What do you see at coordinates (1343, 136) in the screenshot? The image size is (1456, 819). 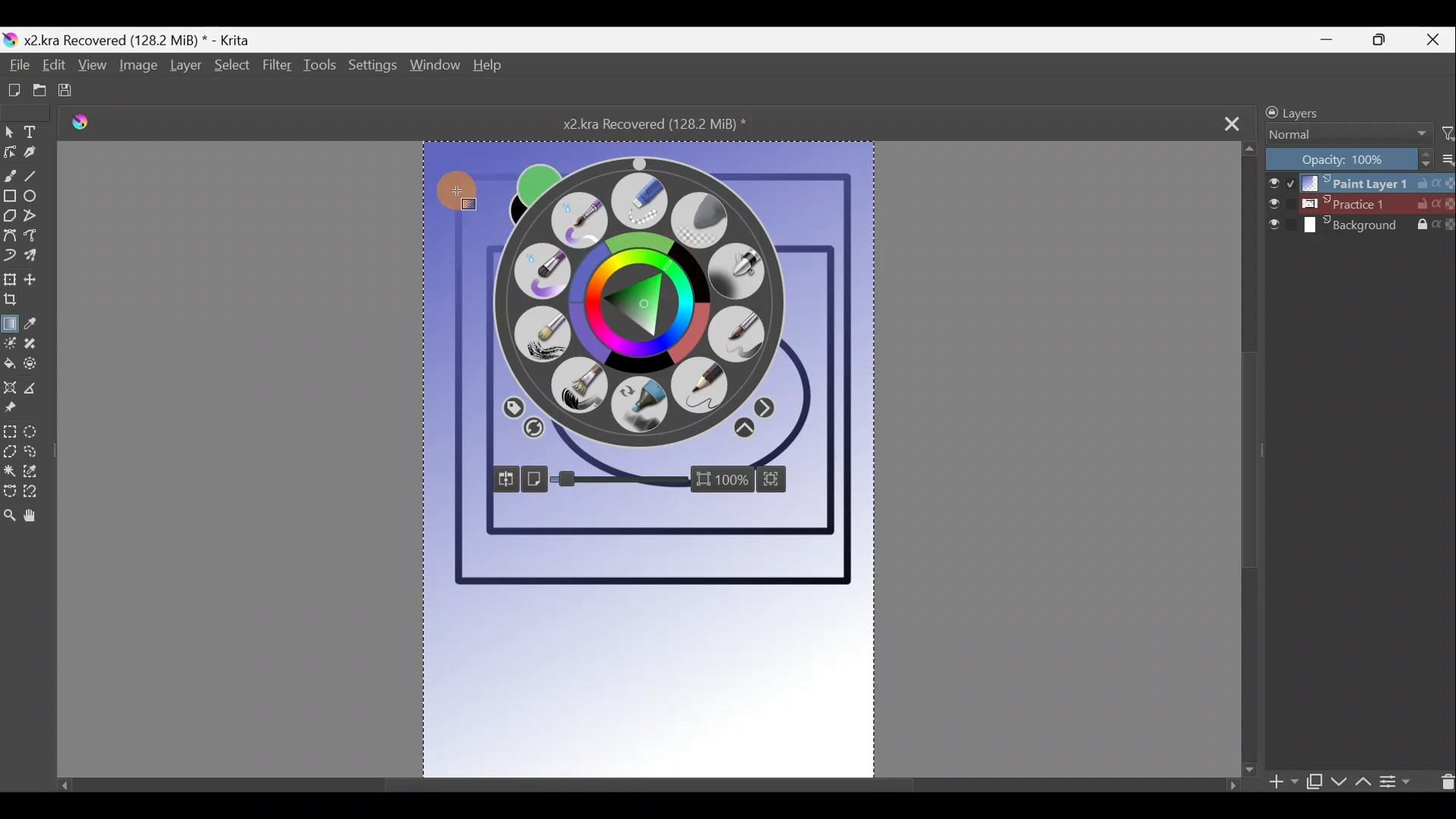 I see `Blending mode` at bounding box center [1343, 136].